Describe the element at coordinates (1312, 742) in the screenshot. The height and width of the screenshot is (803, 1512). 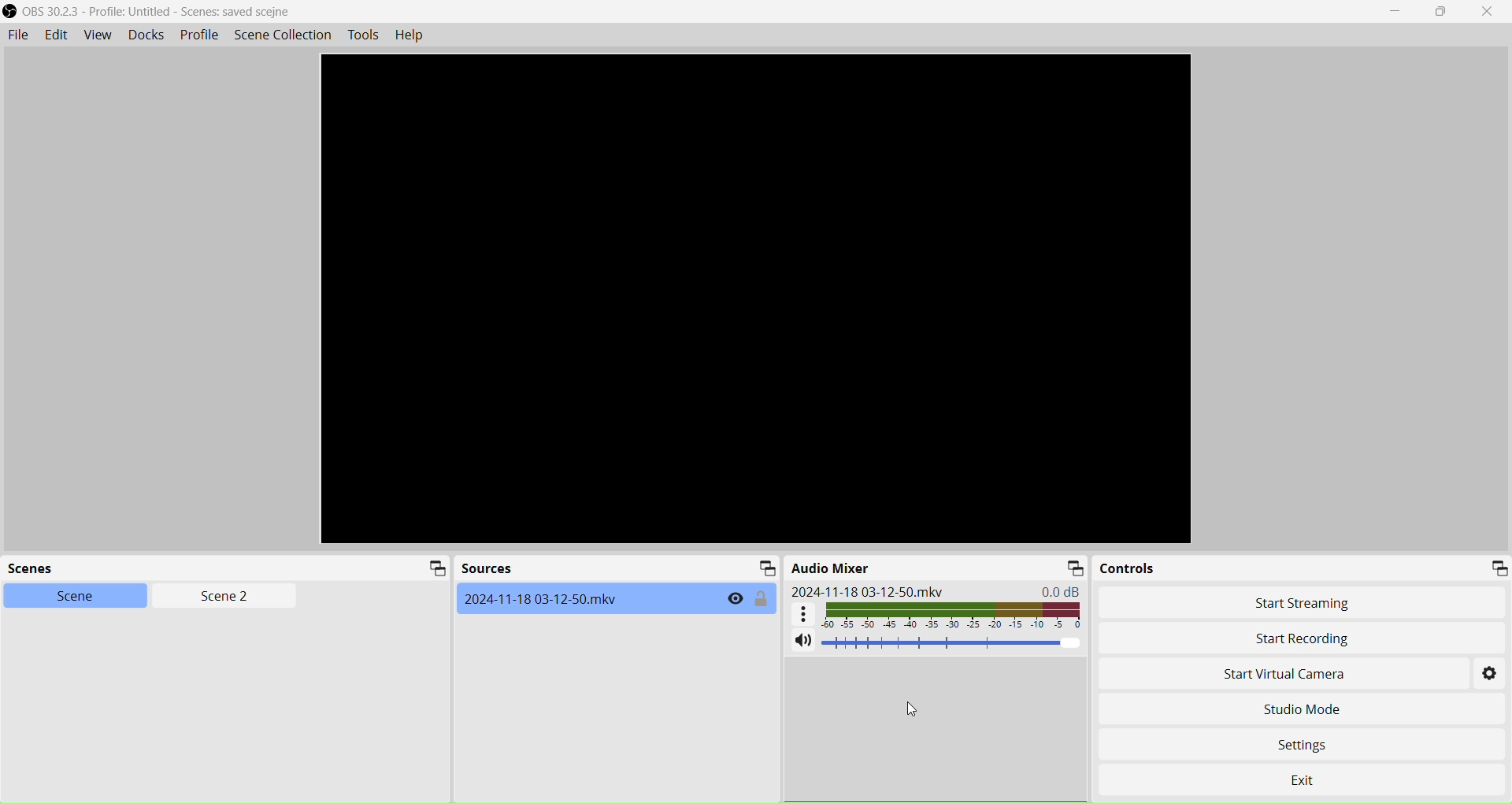
I see `Settings` at that location.